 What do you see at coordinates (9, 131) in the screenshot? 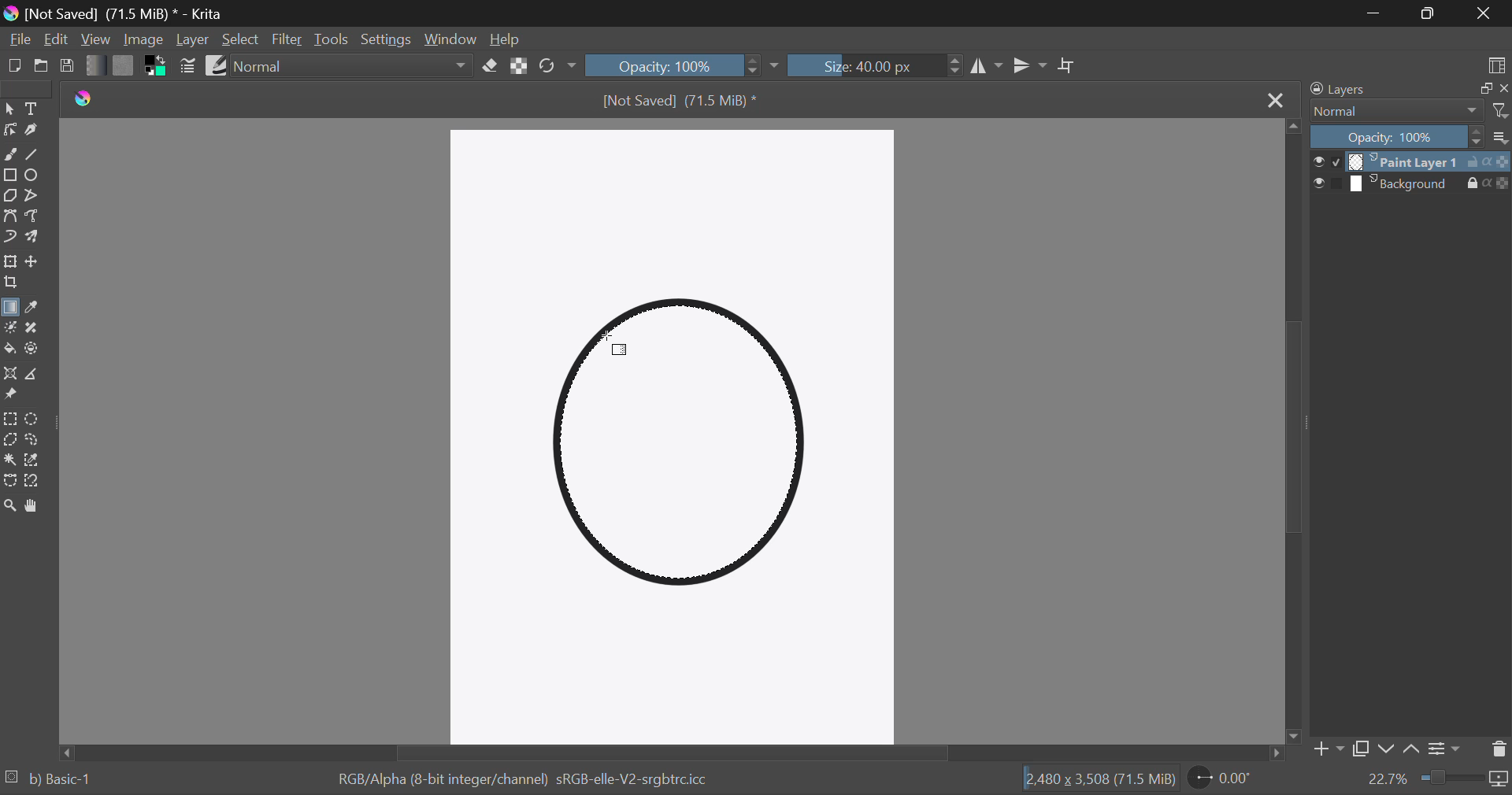
I see `Edit Shapes` at bounding box center [9, 131].